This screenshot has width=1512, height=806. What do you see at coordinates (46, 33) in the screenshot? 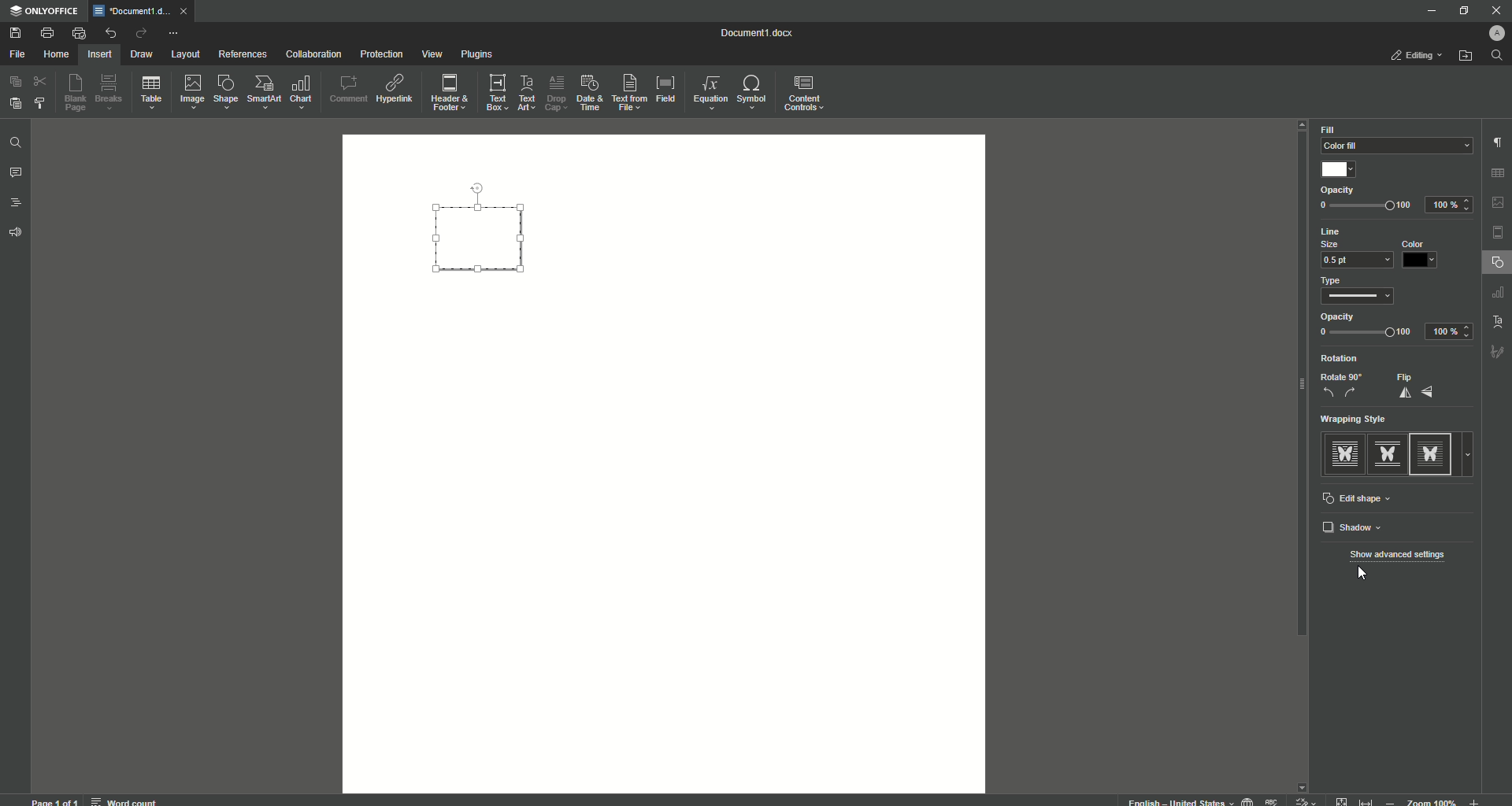
I see `Print` at bounding box center [46, 33].